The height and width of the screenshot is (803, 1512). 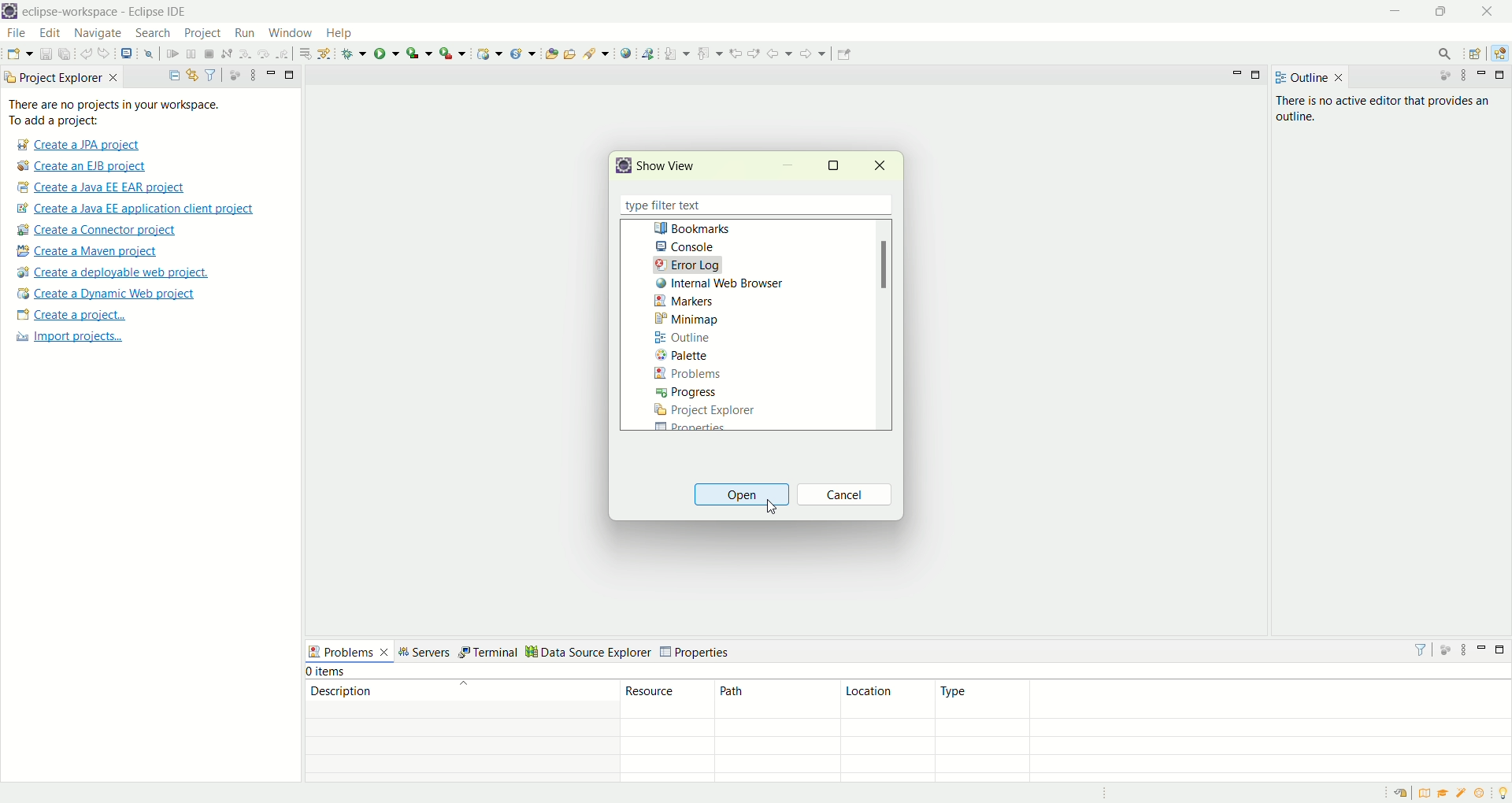 What do you see at coordinates (225, 53) in the screenshot?
I see `disconnect` at bounding box center [225, 53].